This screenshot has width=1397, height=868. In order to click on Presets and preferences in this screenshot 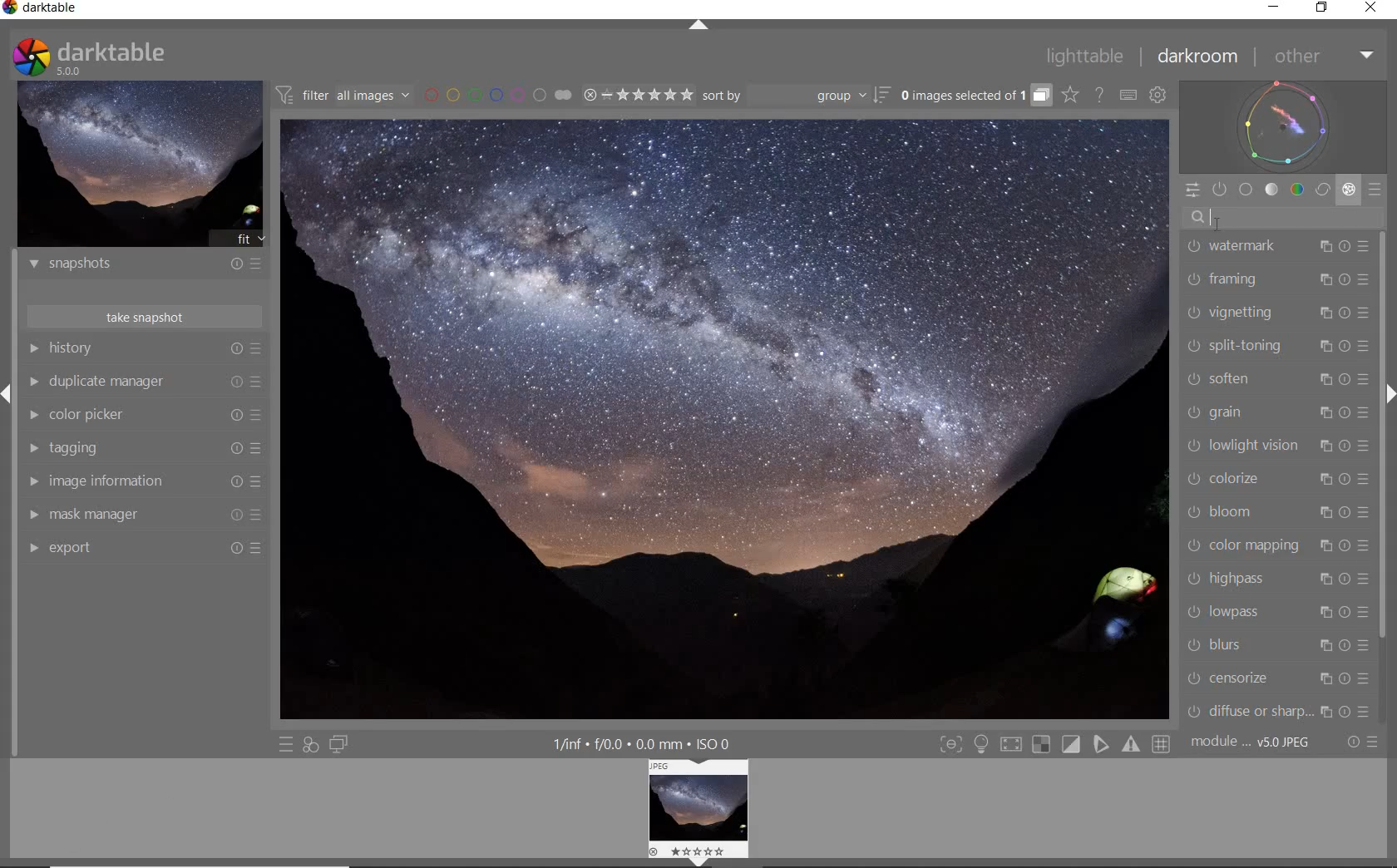, I will do `click(259, 378)`.